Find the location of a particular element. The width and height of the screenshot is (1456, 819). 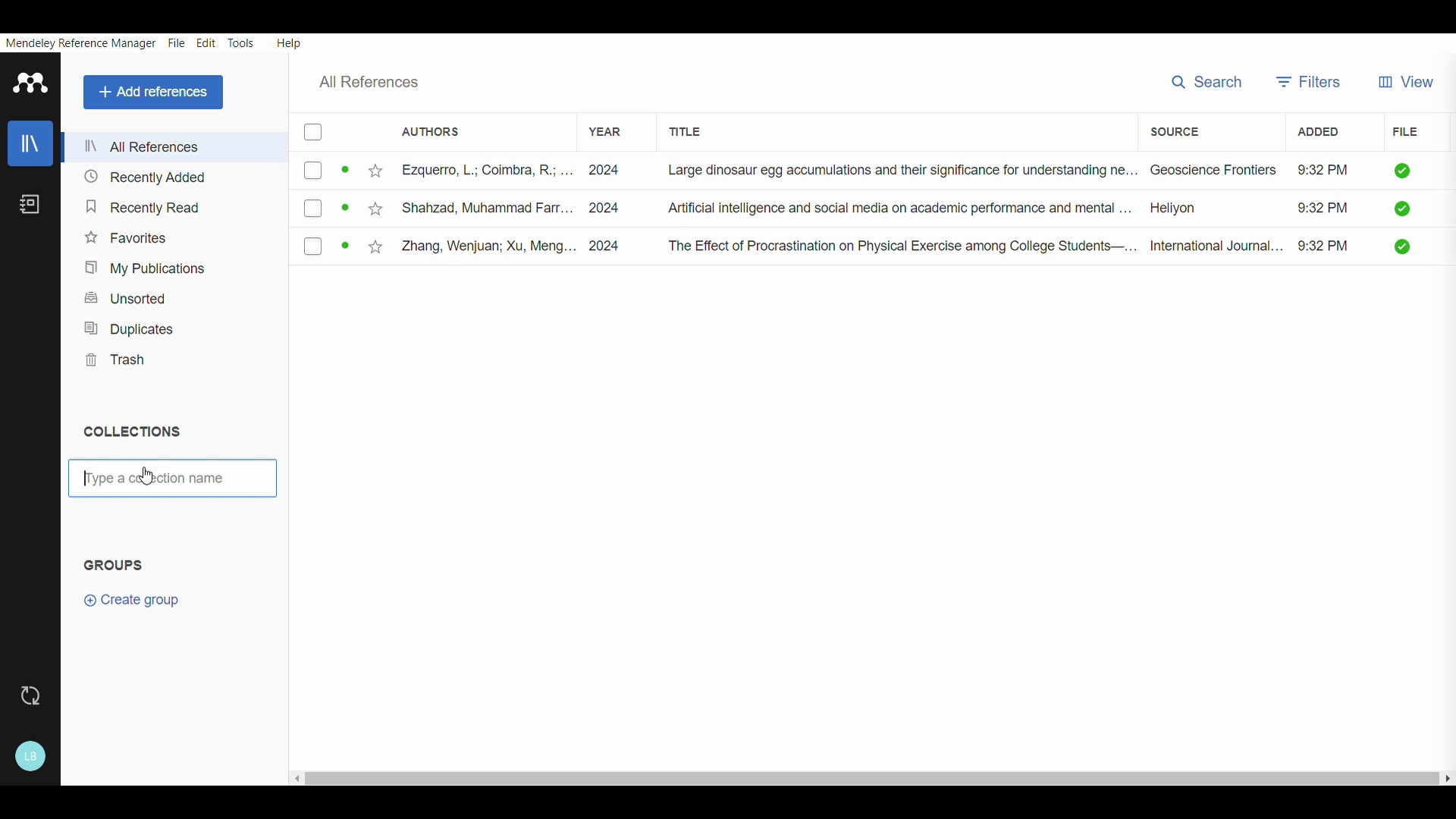

Mendeley Logo is located at coordinates (31, 82).